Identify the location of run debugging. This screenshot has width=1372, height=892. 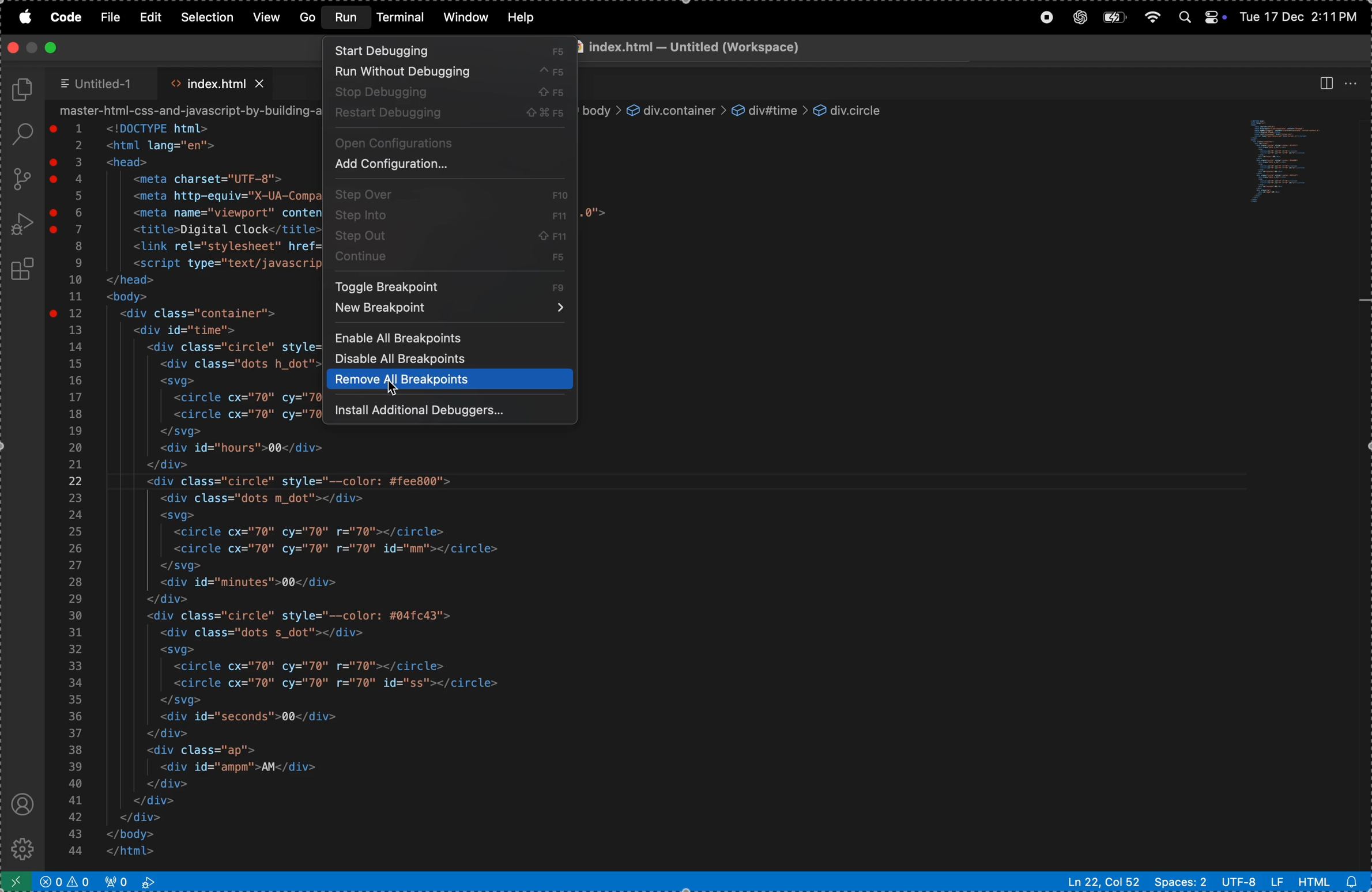
(450, 73).